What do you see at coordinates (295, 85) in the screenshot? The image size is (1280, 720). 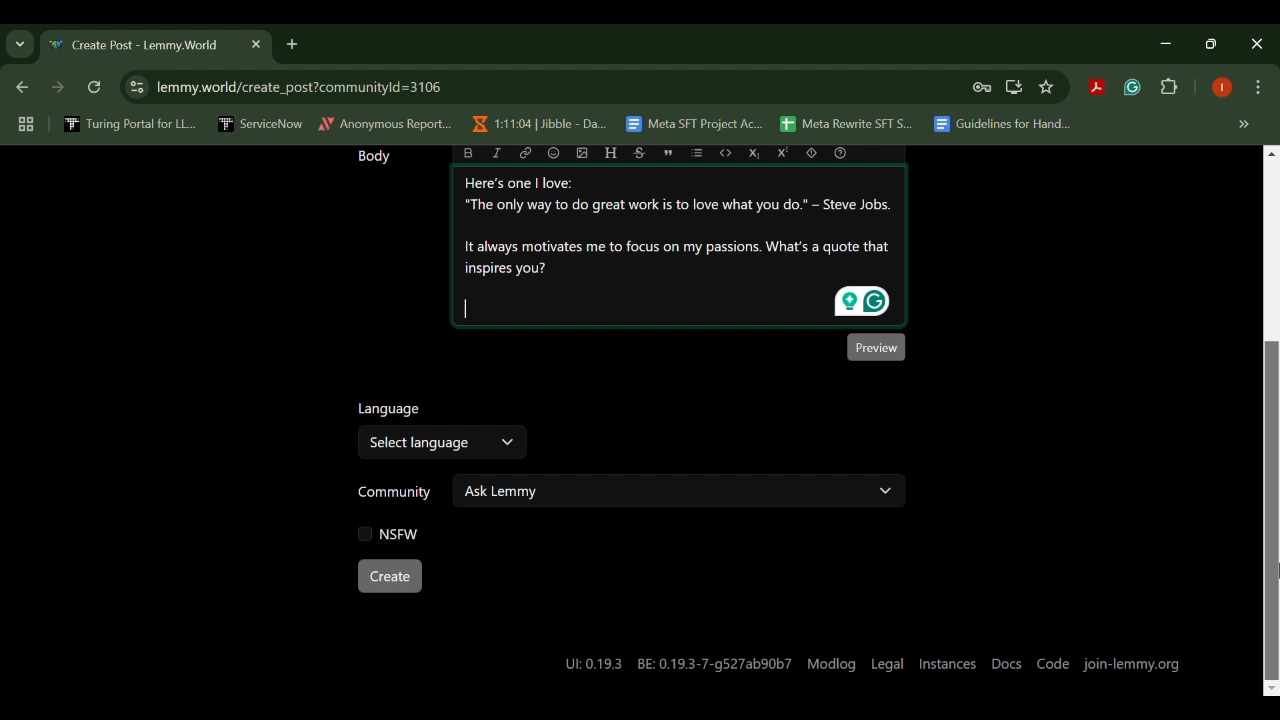 I see `lemmy.world/create_post?communityld=3106` at bounding box center [295, 85].